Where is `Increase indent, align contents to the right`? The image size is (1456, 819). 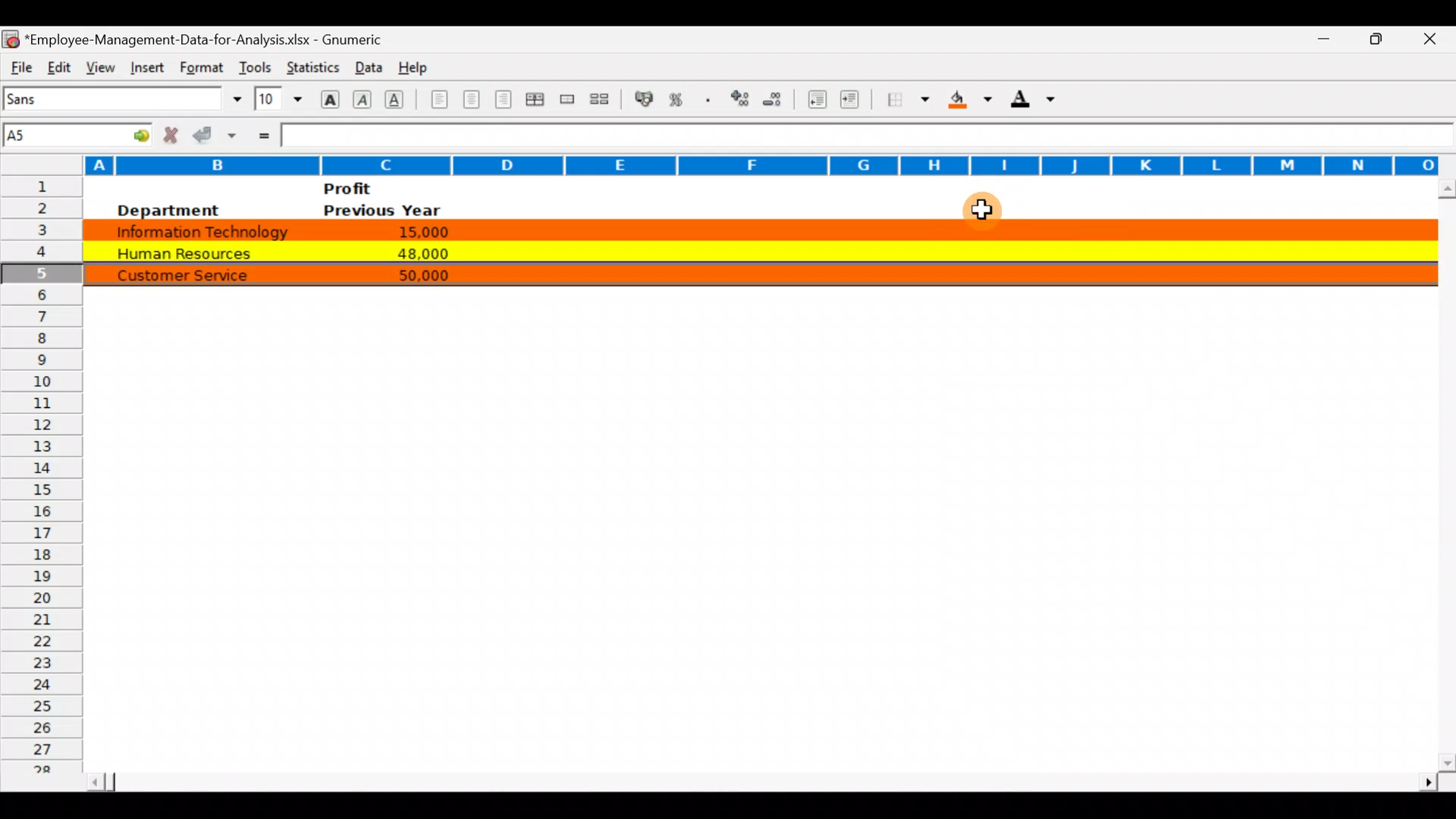 Increase indent, align contents to the right is located at coordinates (852, 101).